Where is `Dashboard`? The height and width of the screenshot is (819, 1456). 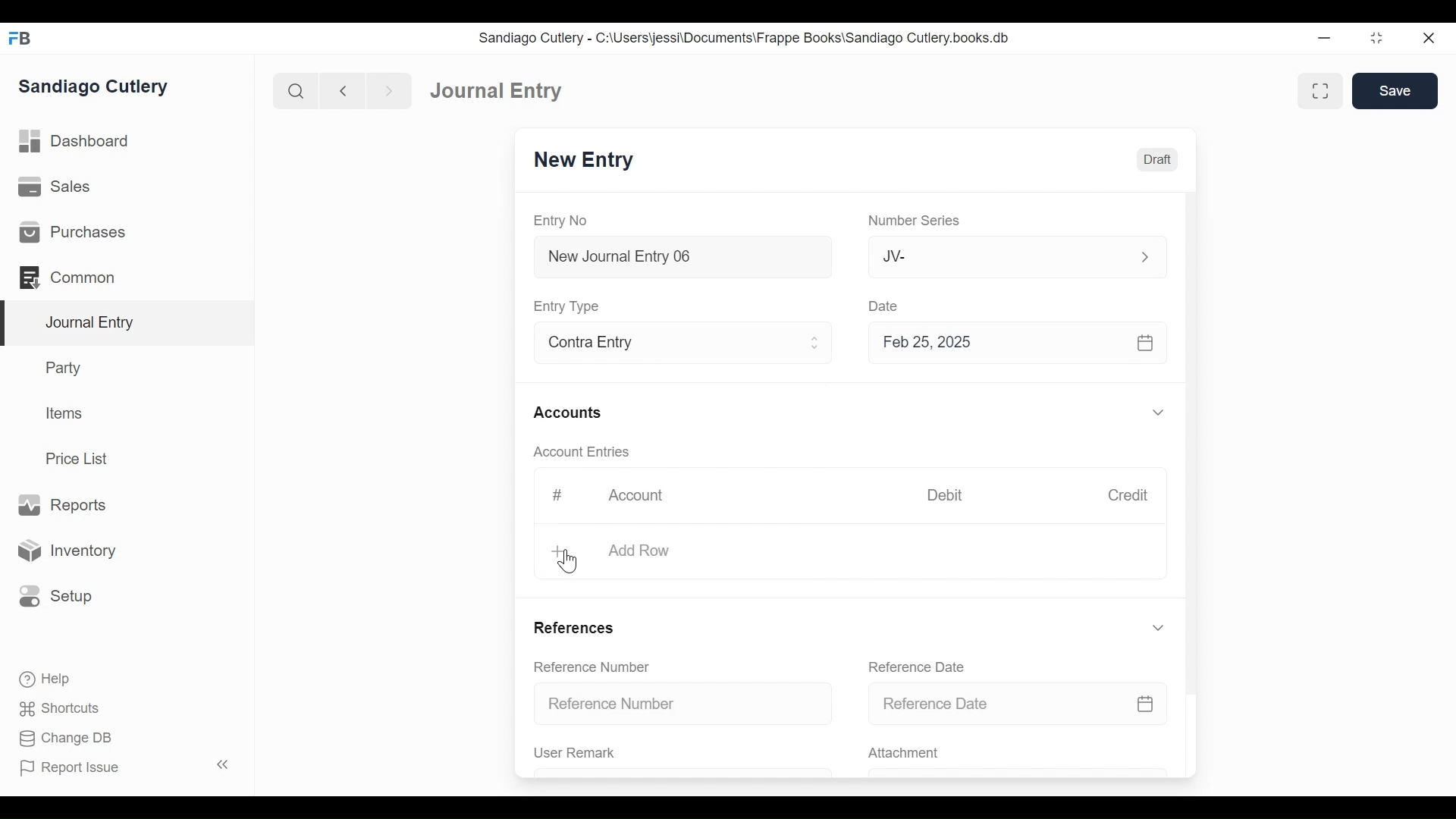
Dashboard is located at coordinates (76, 142).